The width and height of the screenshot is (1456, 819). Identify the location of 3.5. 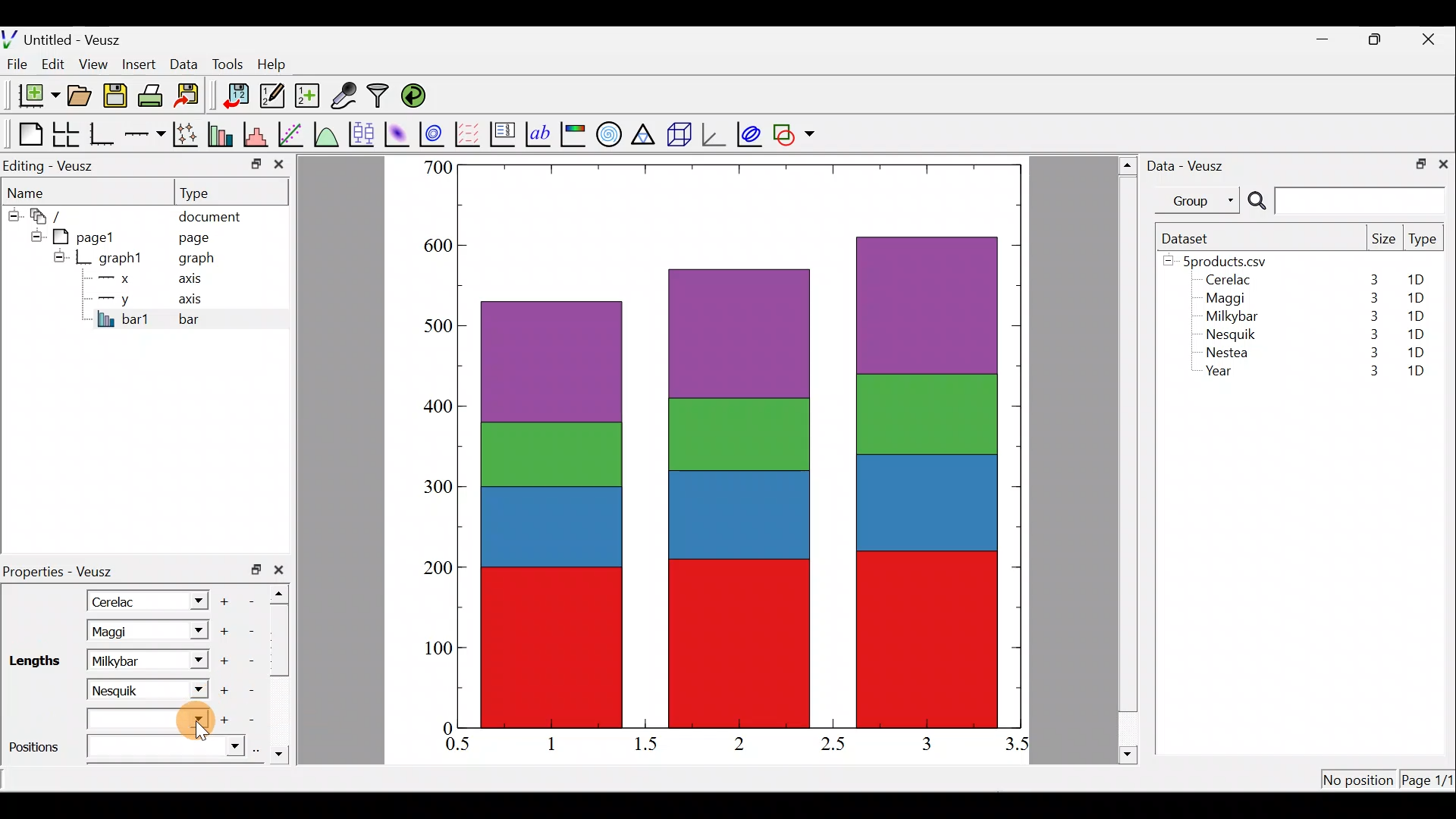
(1018, 747).